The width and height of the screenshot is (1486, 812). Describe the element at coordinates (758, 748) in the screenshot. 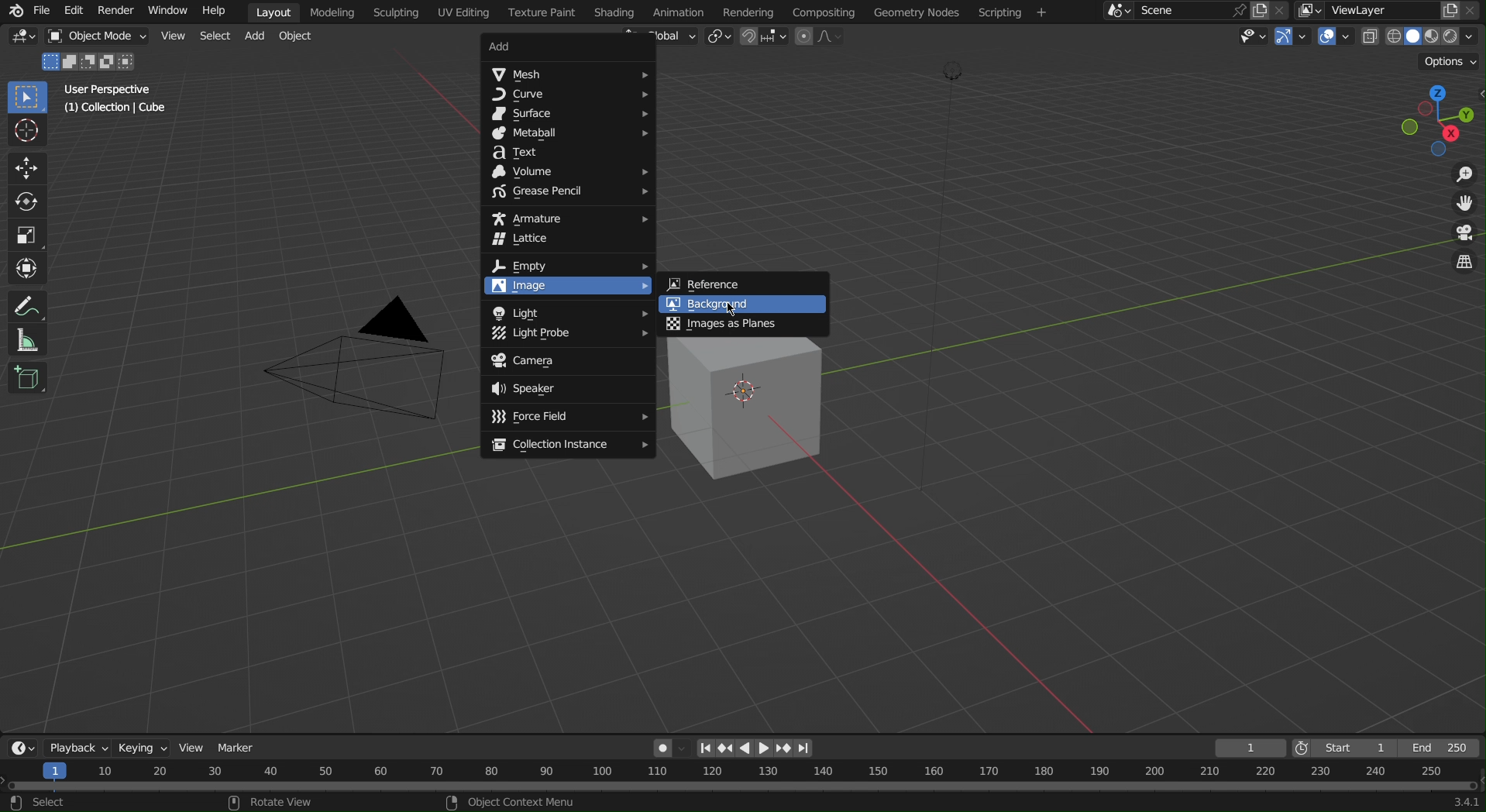

I see `Controls` at that location.